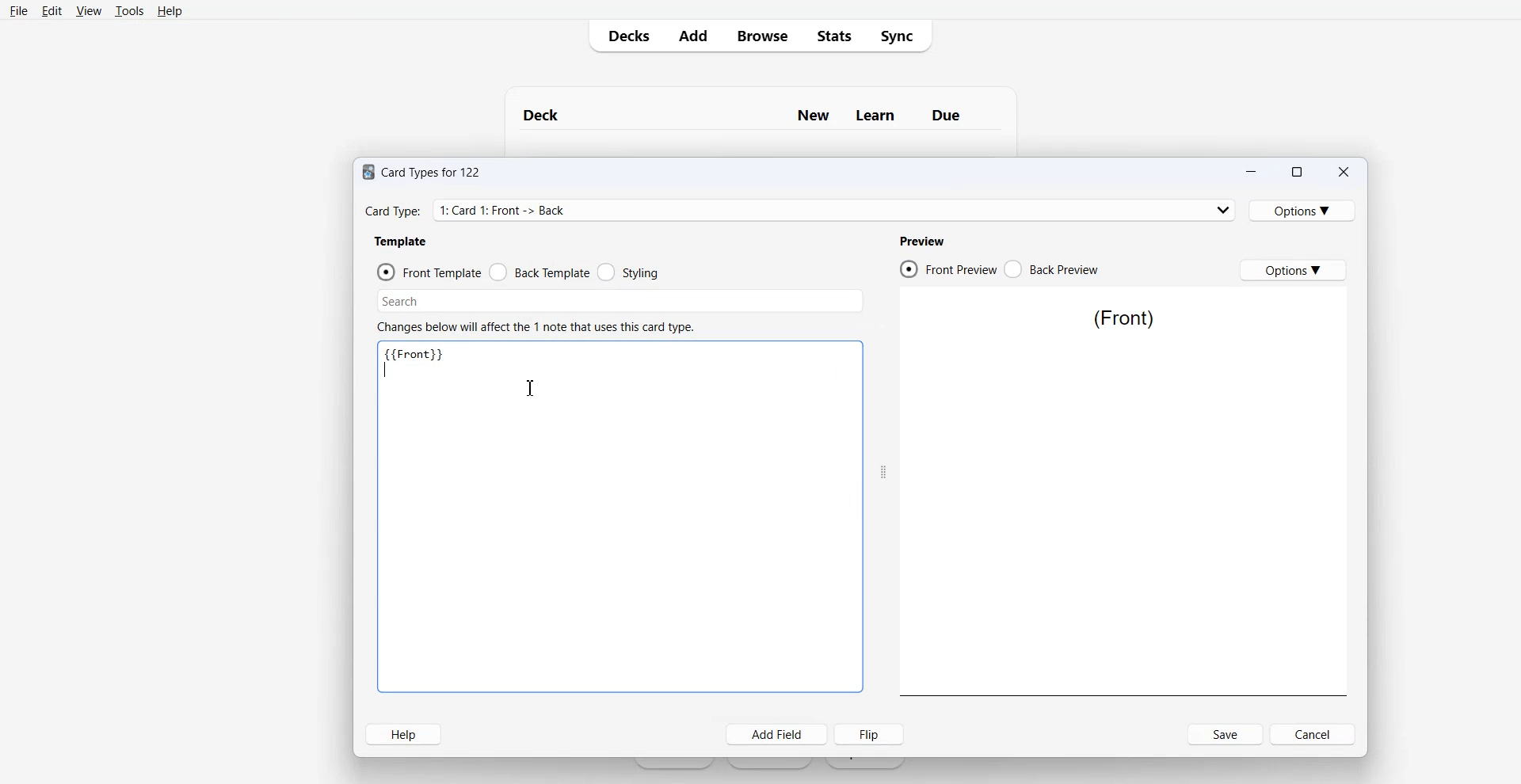  Describe the element at coordinates (1251, 171) in the screenshot. I see `Minimize` at that location.